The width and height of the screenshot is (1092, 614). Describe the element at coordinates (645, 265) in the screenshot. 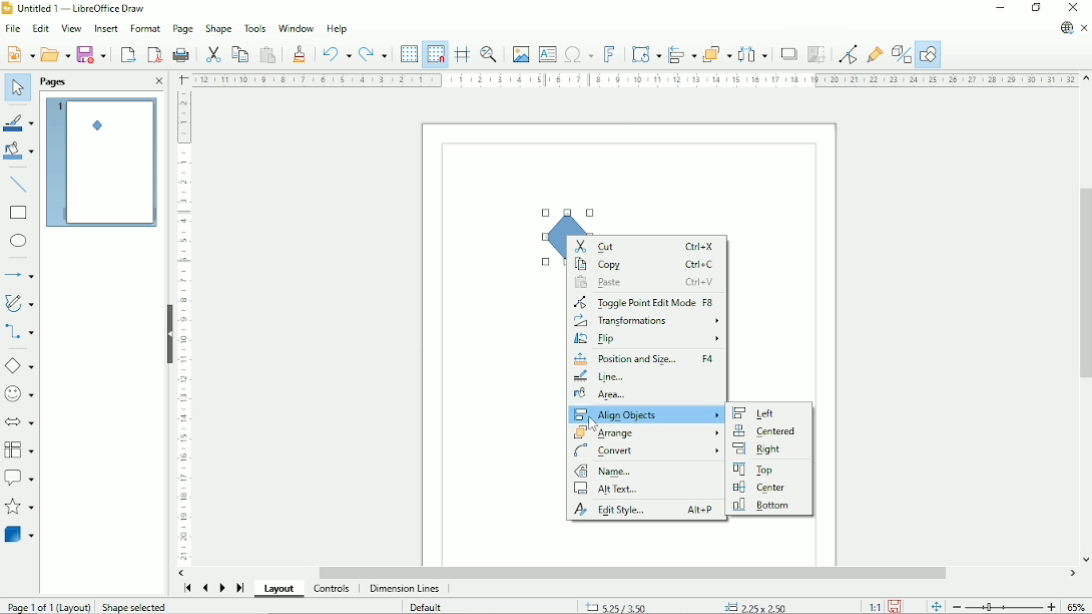

I see `Copy` at that location.